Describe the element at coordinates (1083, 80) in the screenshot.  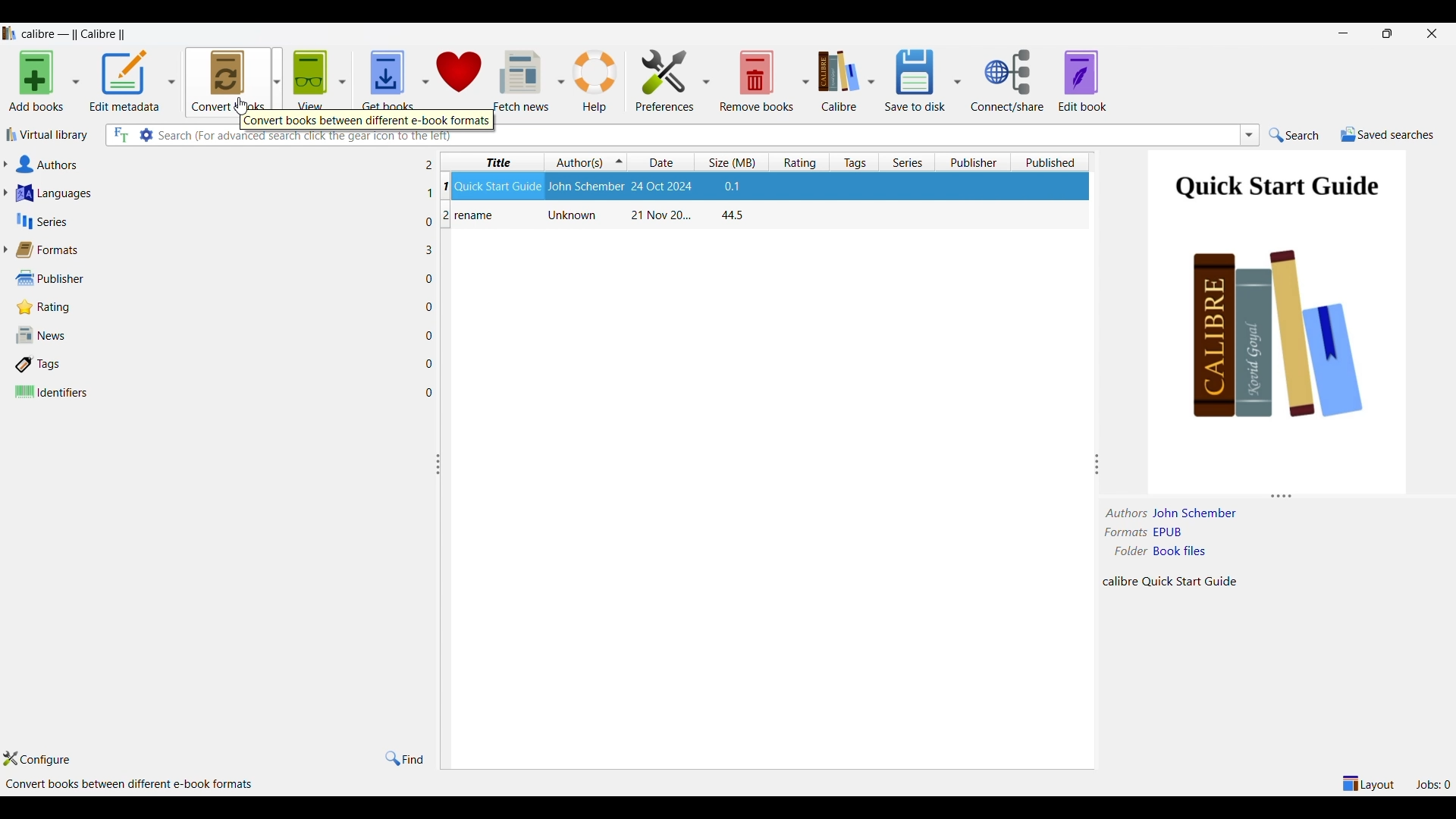
I see `Edit book` at that location.